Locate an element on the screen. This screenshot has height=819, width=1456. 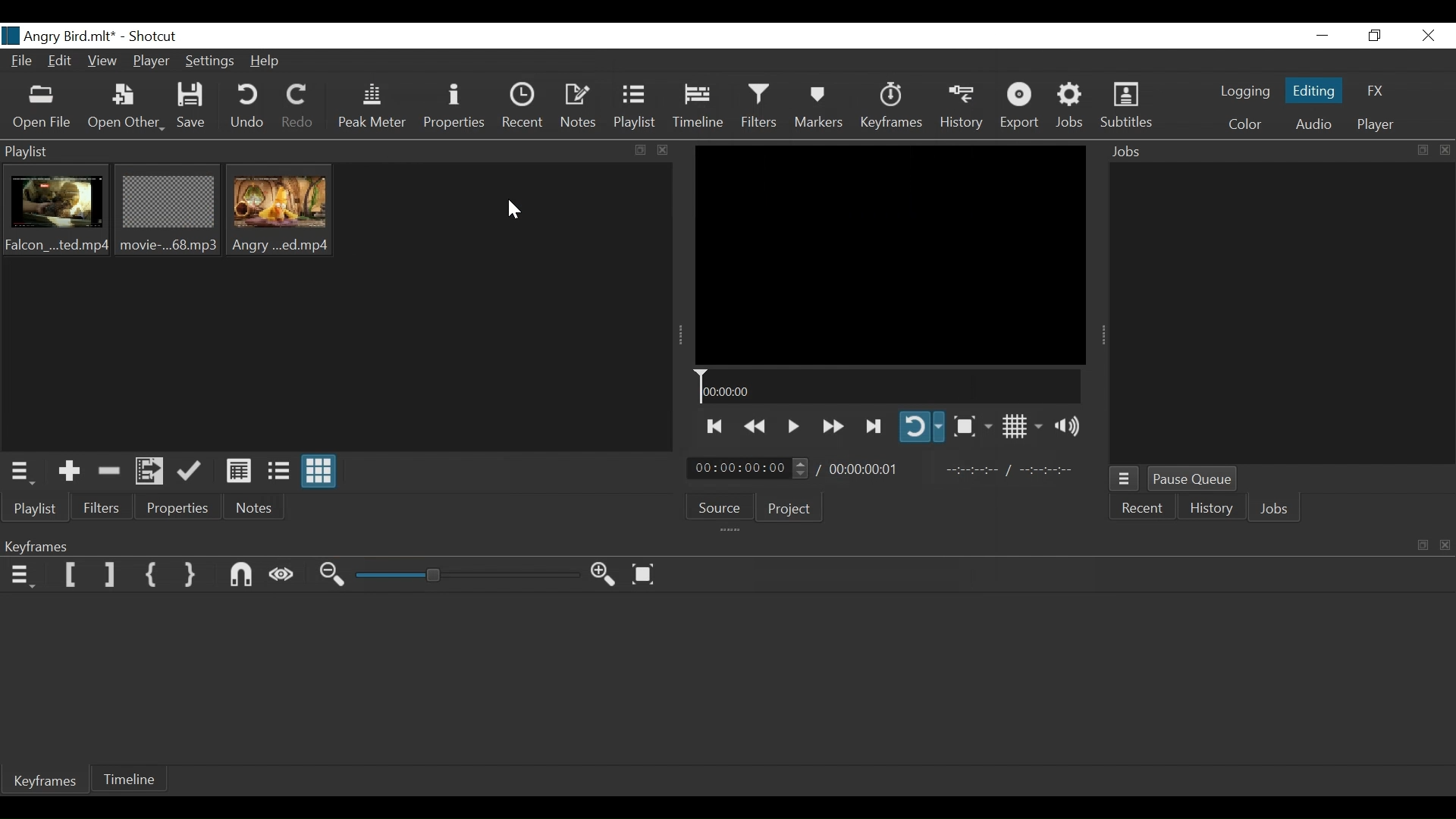
Show Volume control is located at coordinates (1072, 428).